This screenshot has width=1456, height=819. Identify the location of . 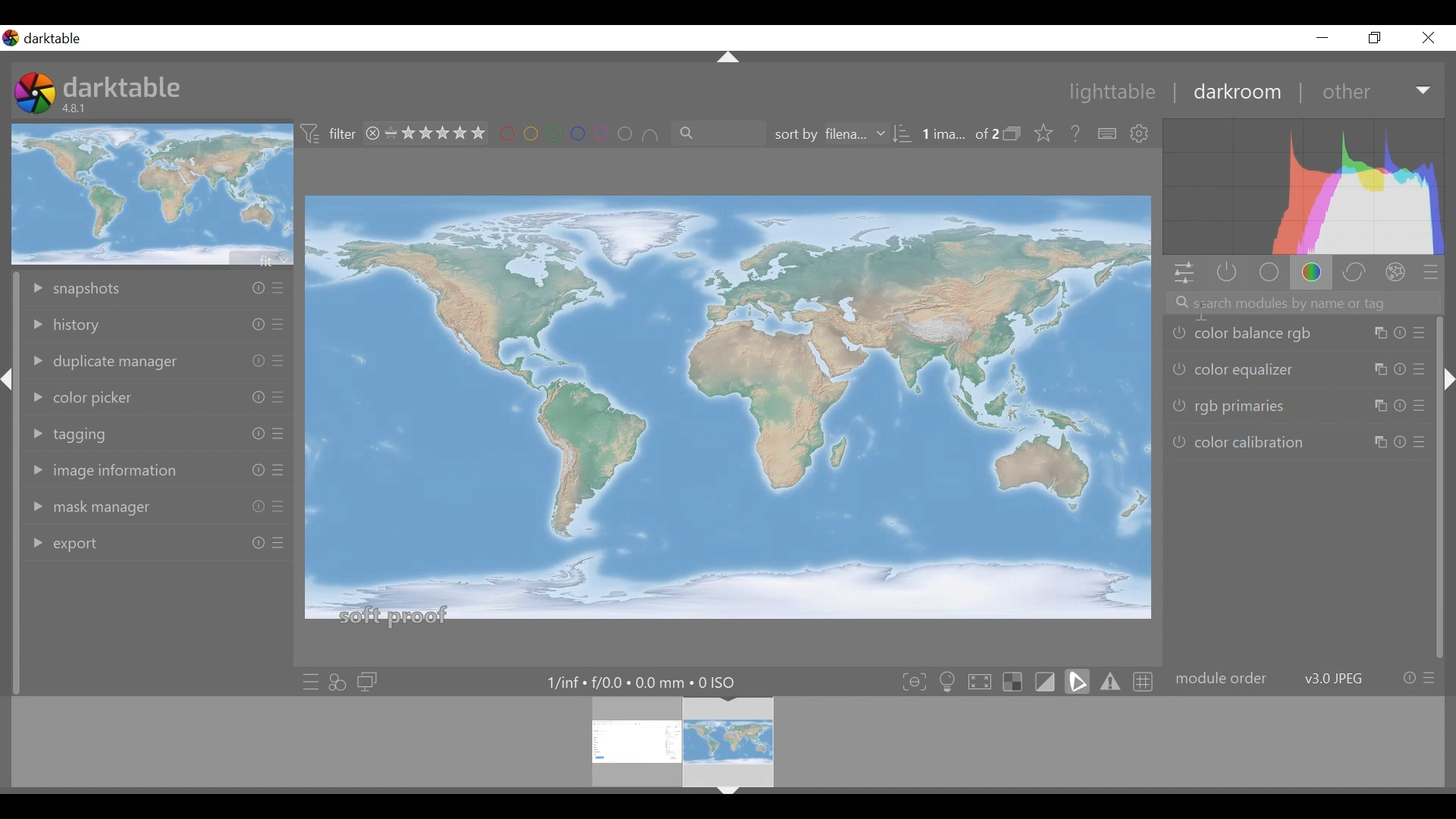
(276, 507).